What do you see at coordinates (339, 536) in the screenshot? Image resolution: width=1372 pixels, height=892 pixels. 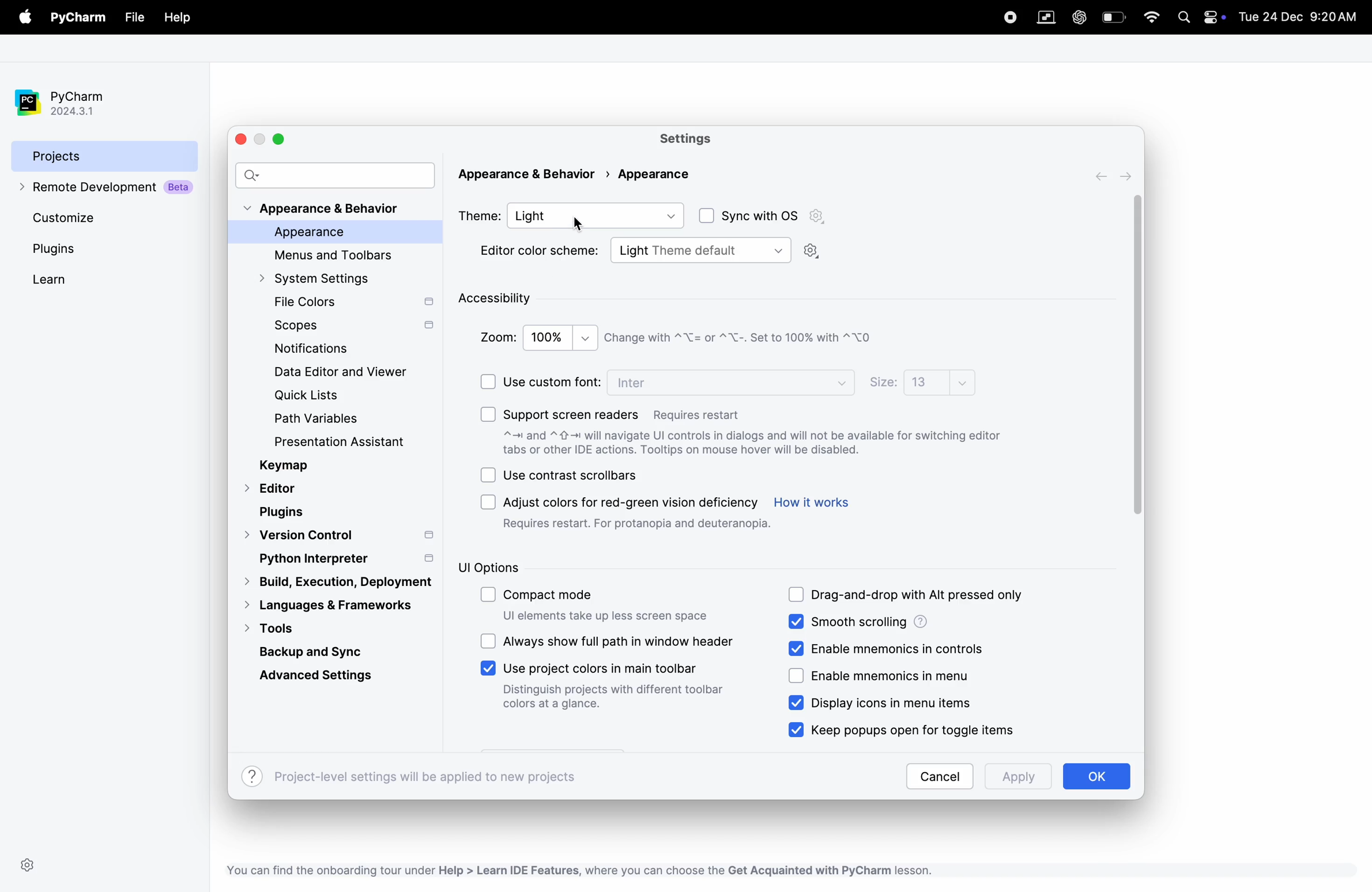 I see `version control` at bounding box center [339, 536].